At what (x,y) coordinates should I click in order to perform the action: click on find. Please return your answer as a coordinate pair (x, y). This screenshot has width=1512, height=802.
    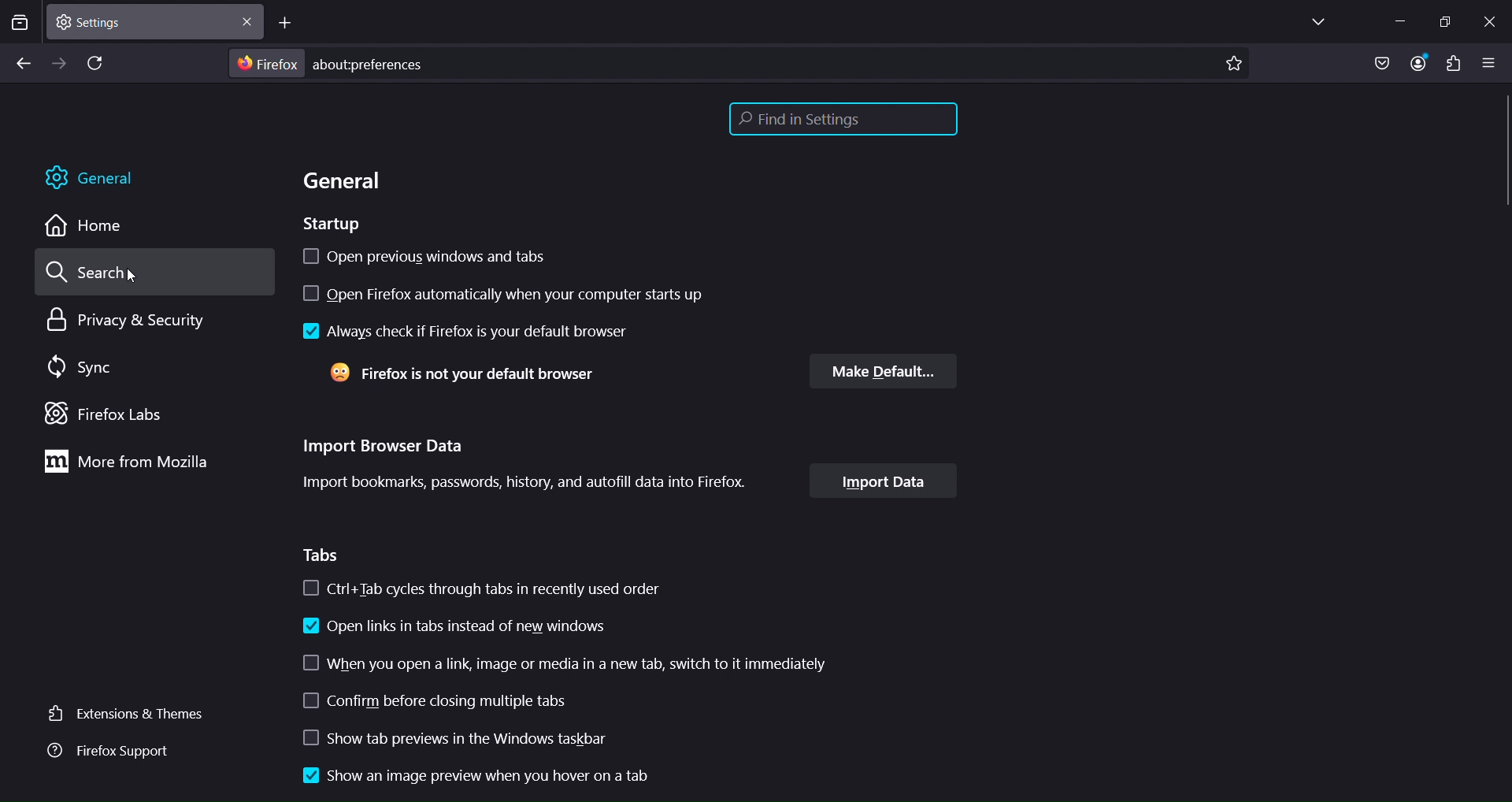
    Looking at the image, I should click on (840, 120).